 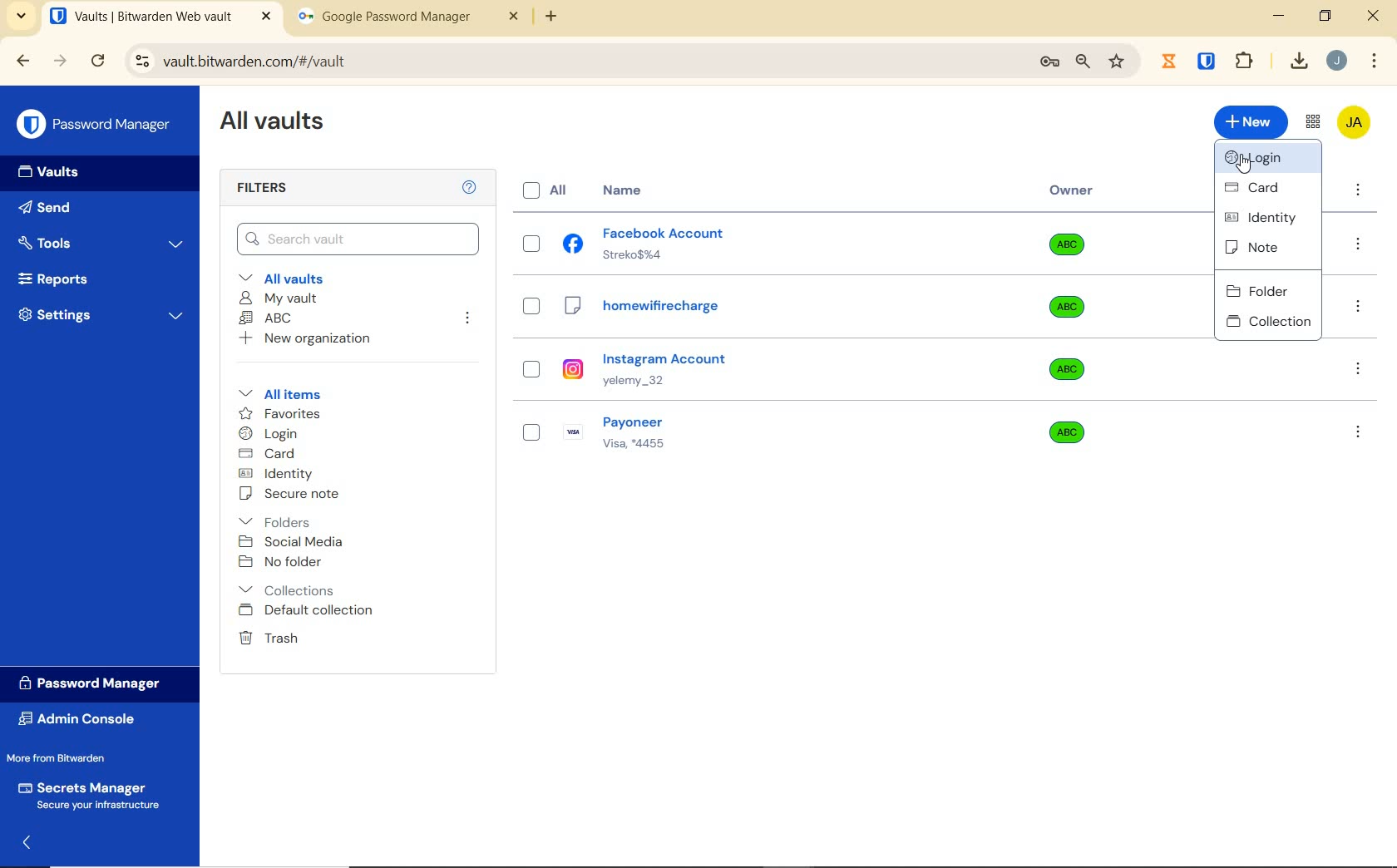 What do you see at coordinates (1361, 245) in the screenshot?
I see `option` at bounding box center [1361, 245].